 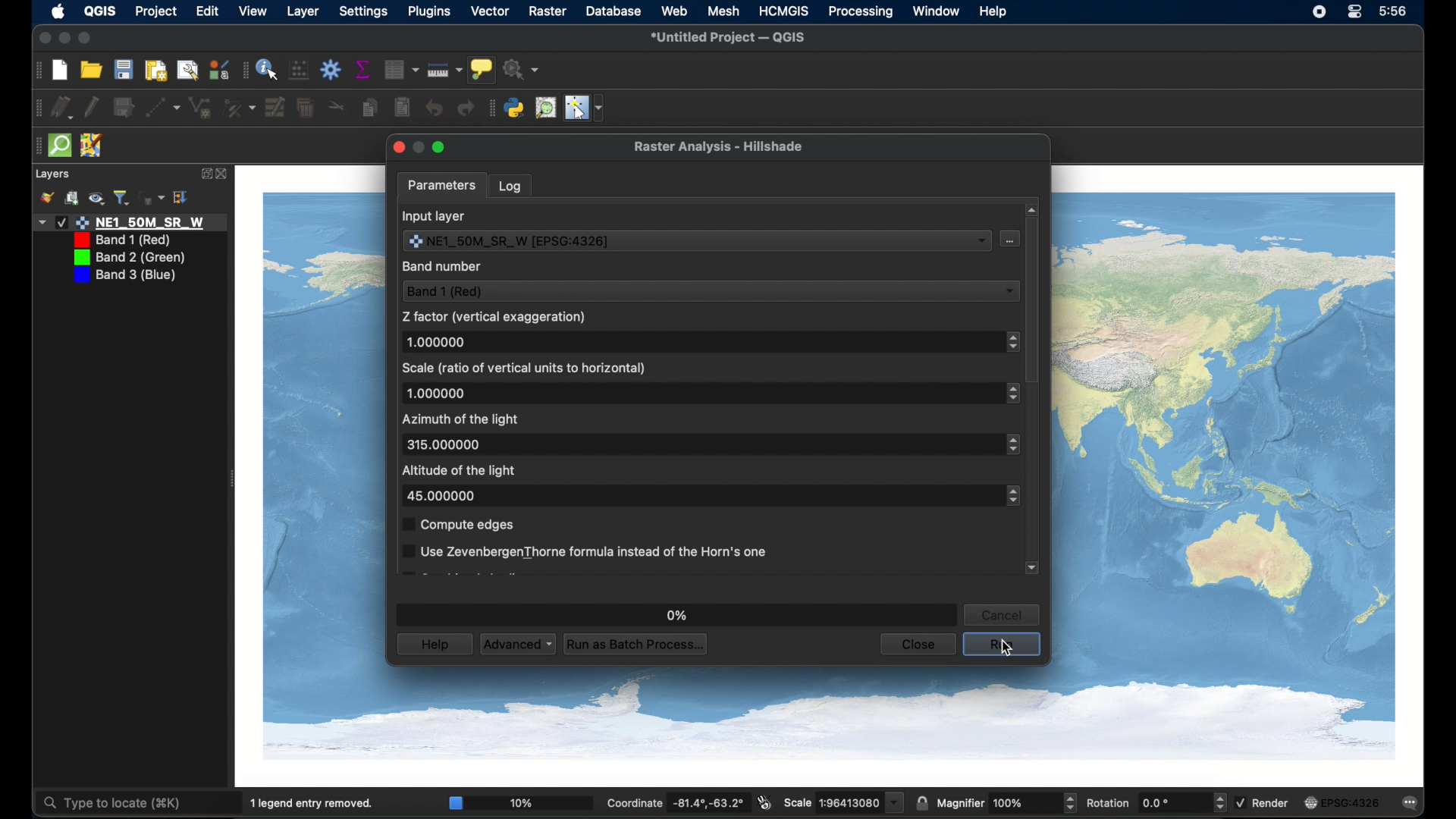 What do you see at coordinates (362, 69) in the screenshot?
I see `show statistical summary` at bounding box center [362, 69].